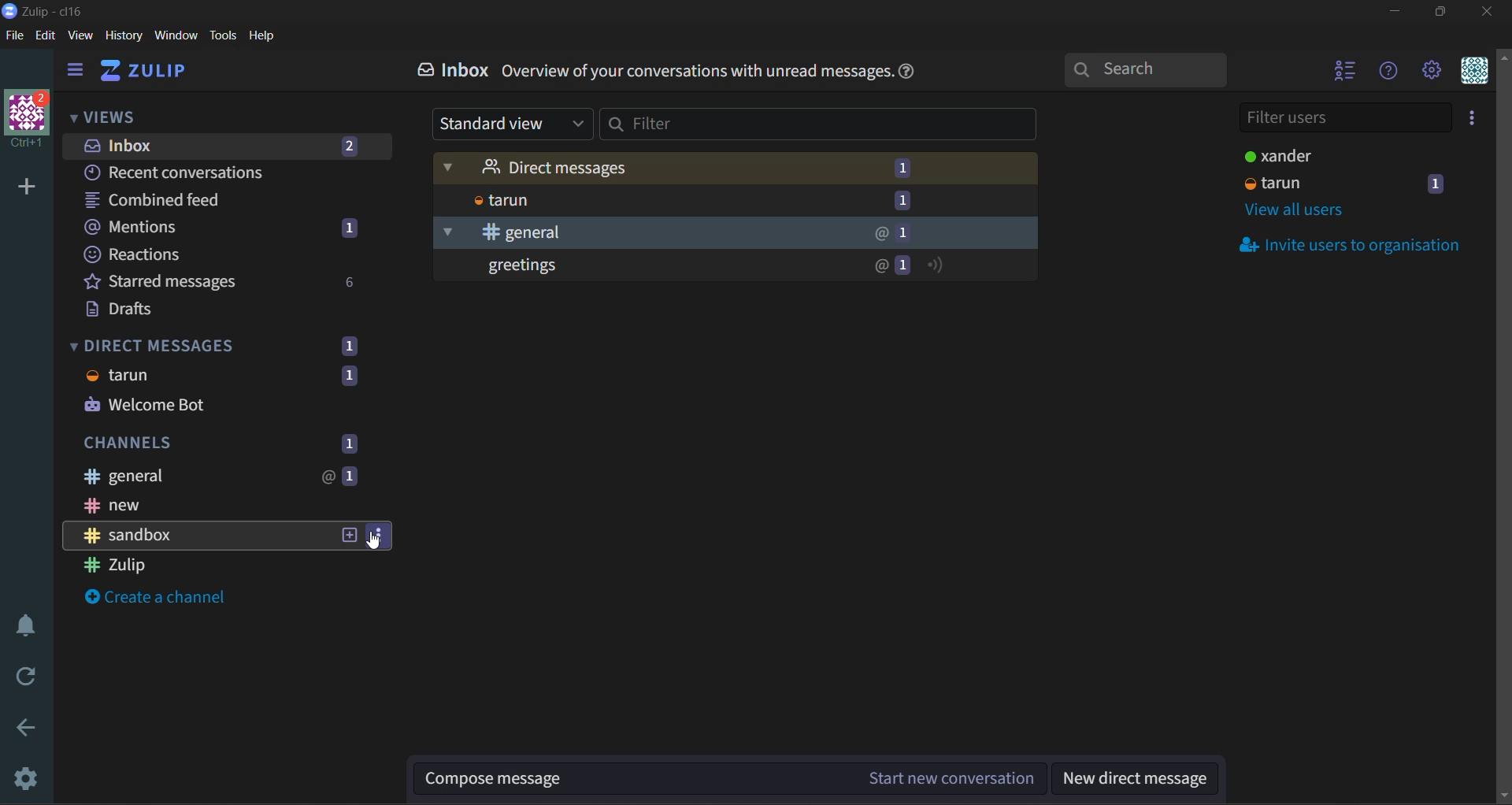 Image resolution: width=1512 pixels, height=805 pixels. Describe the element at coordinates (226, 144) in the screenshot. I see `inbox` at that location.